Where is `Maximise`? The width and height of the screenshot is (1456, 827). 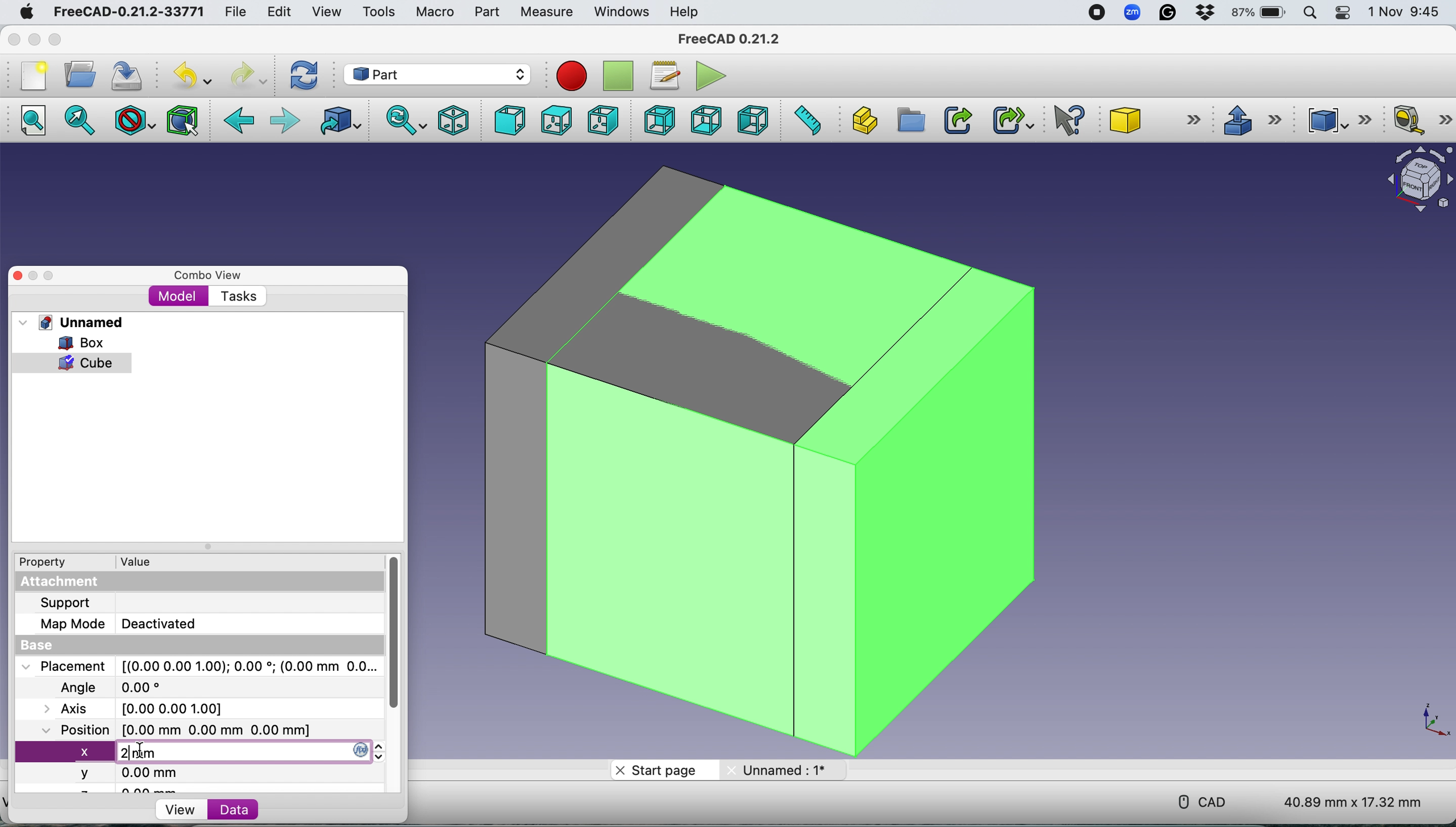 Maximise is located at coordinates (56, 40).